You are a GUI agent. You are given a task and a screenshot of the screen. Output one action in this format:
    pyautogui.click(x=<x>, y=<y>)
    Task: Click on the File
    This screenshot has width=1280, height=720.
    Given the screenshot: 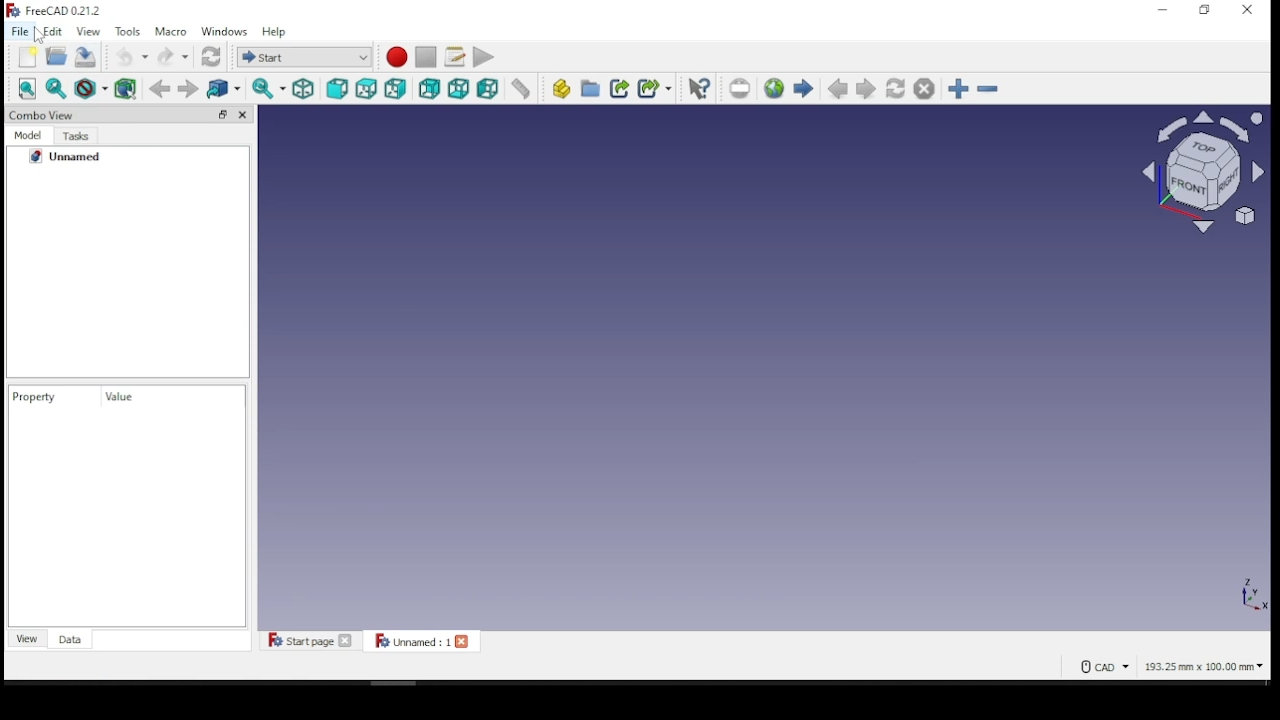 What is the action you would take?
    pyautogui.click(x=21, y=31)
    